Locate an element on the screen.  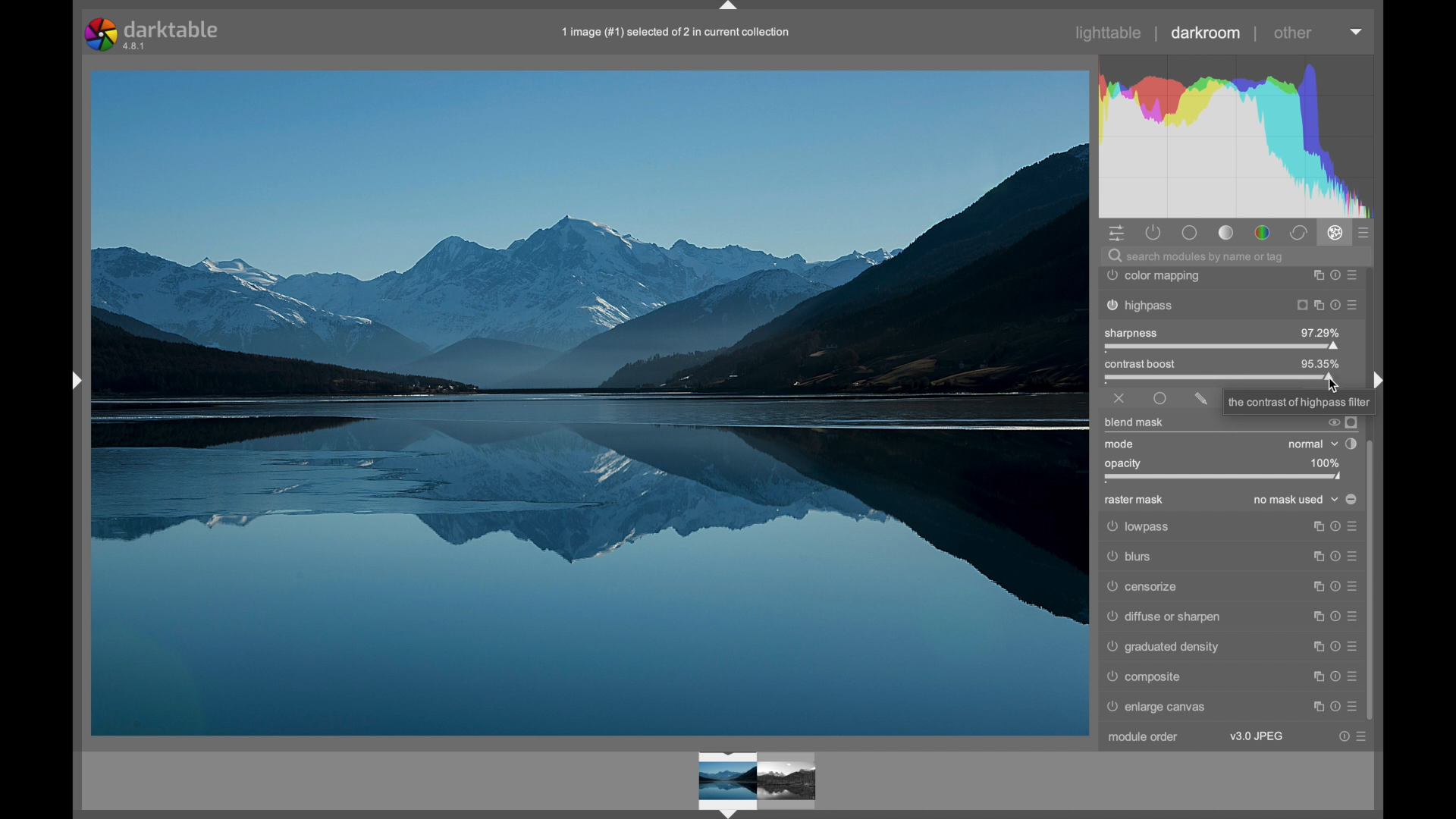
composite is located at coordinates (1143, 676).